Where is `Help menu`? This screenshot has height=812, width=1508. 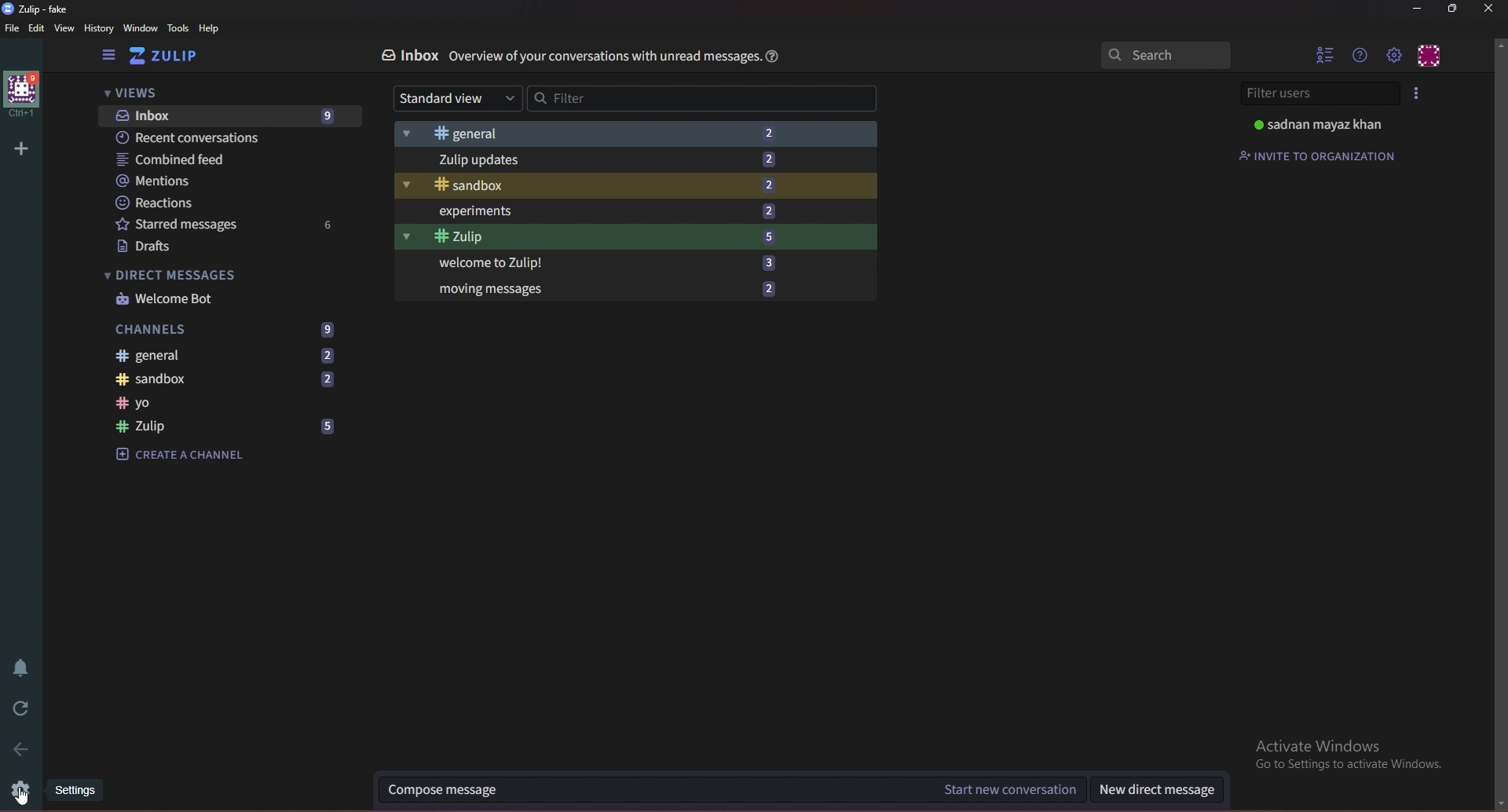 Help menu is located at coordinates (1360, 55).